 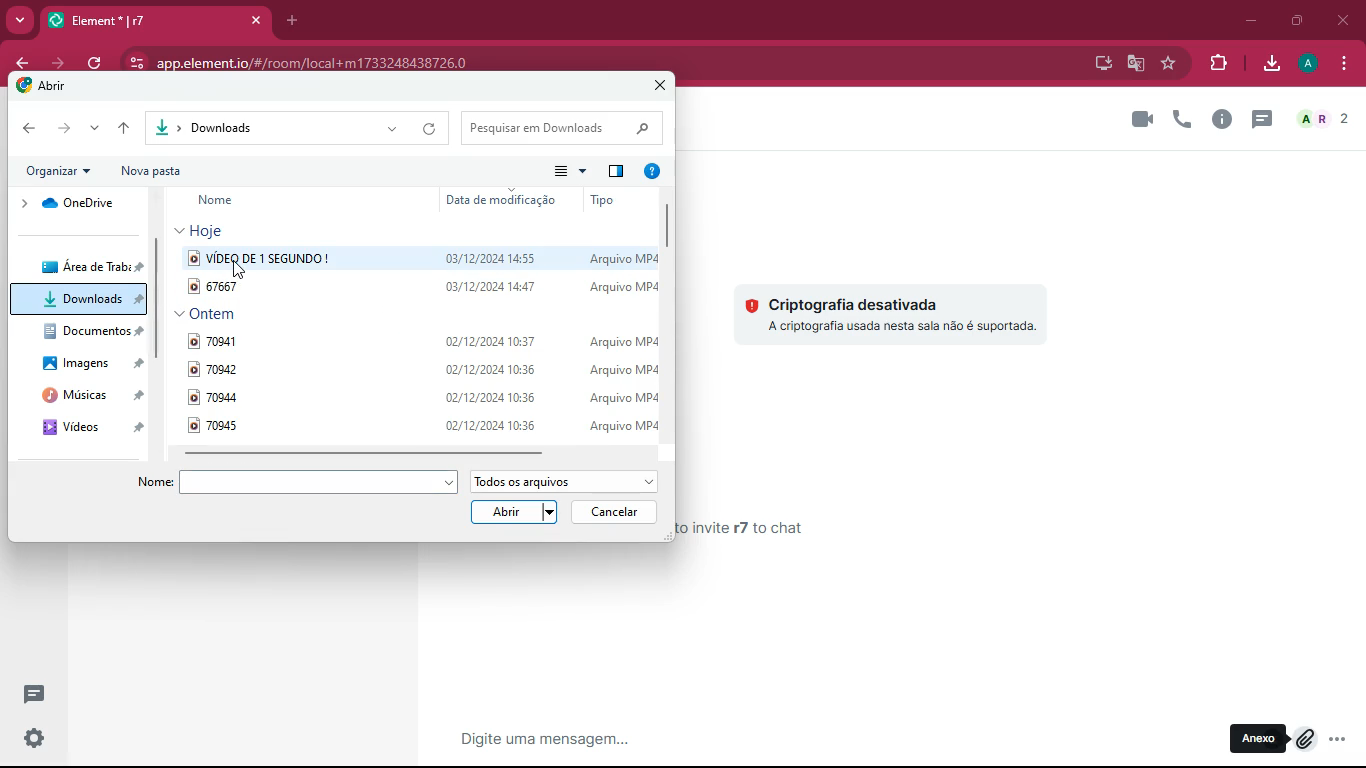 I want to click on more, so click(x=1339, y=740).